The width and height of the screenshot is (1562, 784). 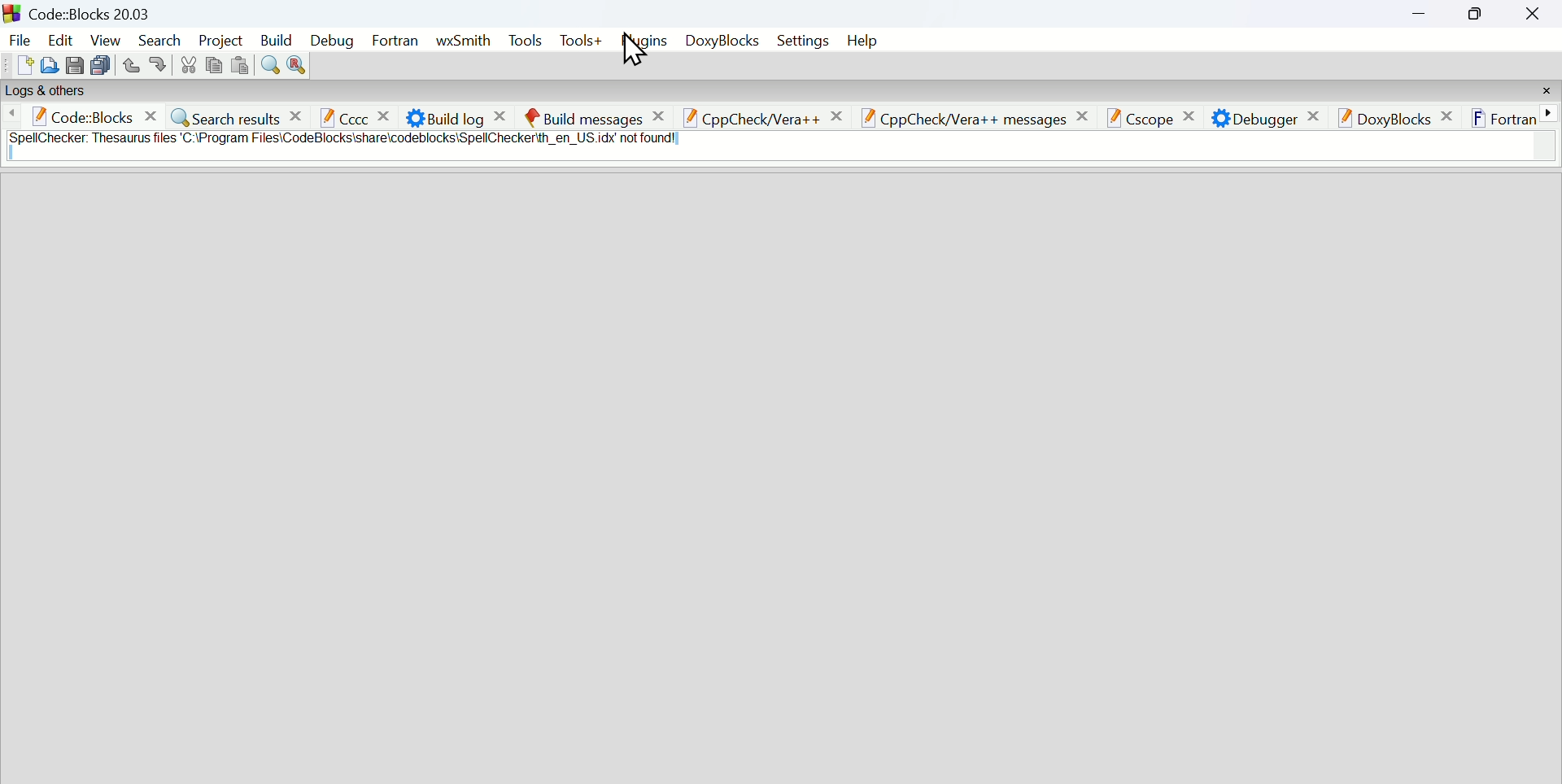 What do you see at coordinates (1262, 115) in the screenshot?
I see `Debugger` at bounding box center [1262, 115].